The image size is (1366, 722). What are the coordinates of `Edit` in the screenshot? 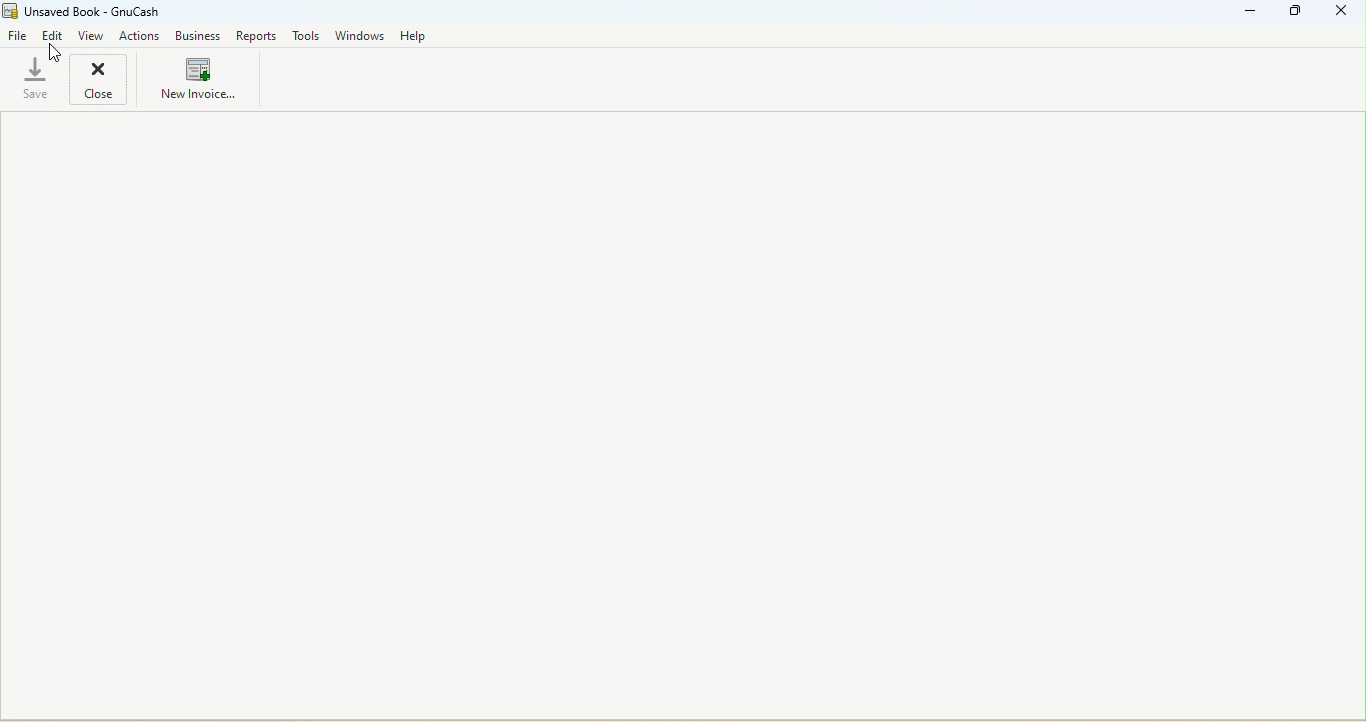 It's located at (53, 37).